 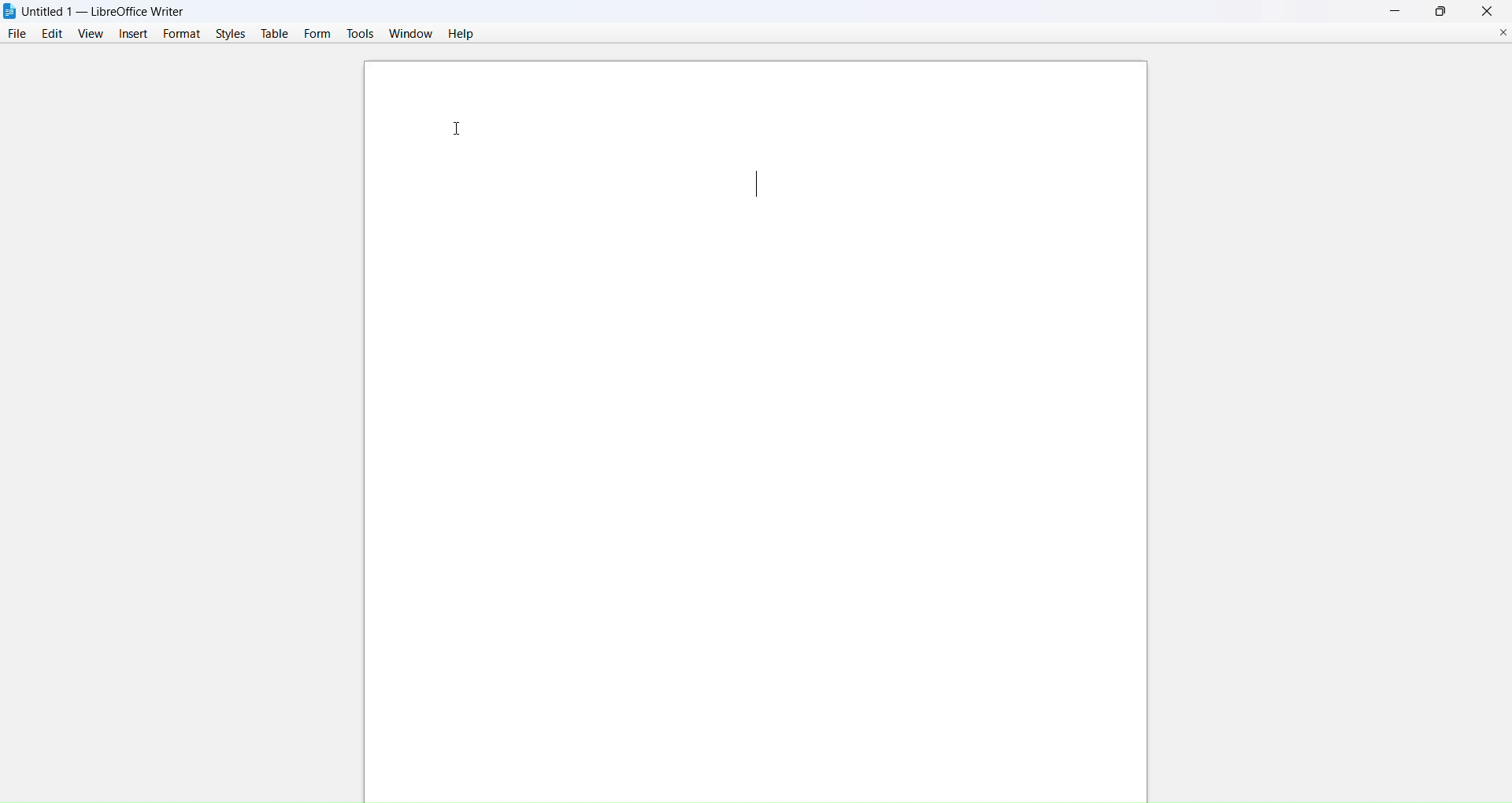 I want to click on styles, so click(x=233, y=34).